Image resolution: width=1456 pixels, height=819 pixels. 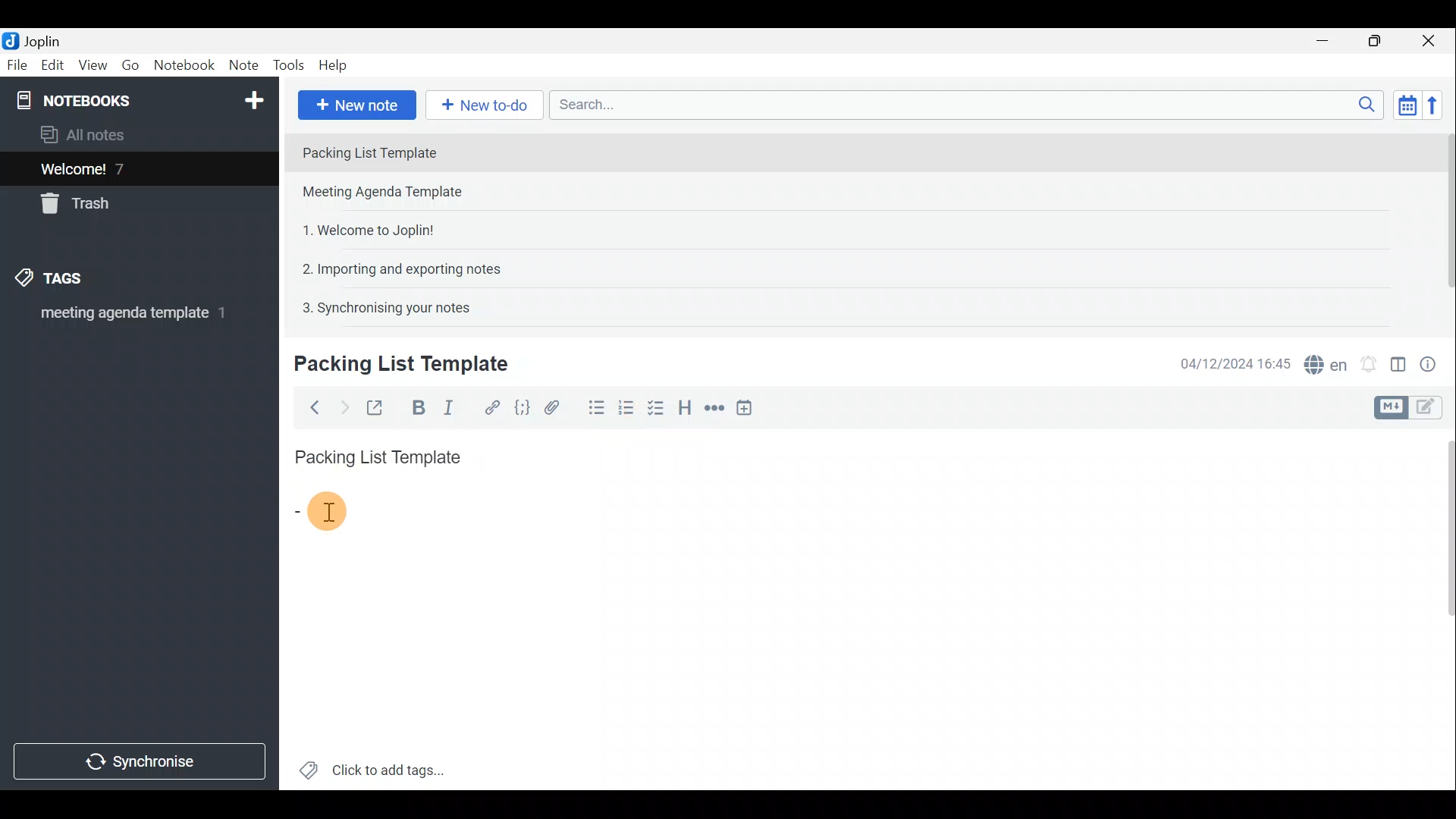 What do you see at coordinates (485, 105) in the screenshot?
I see `New to-do` at bounding box center [485, 105].